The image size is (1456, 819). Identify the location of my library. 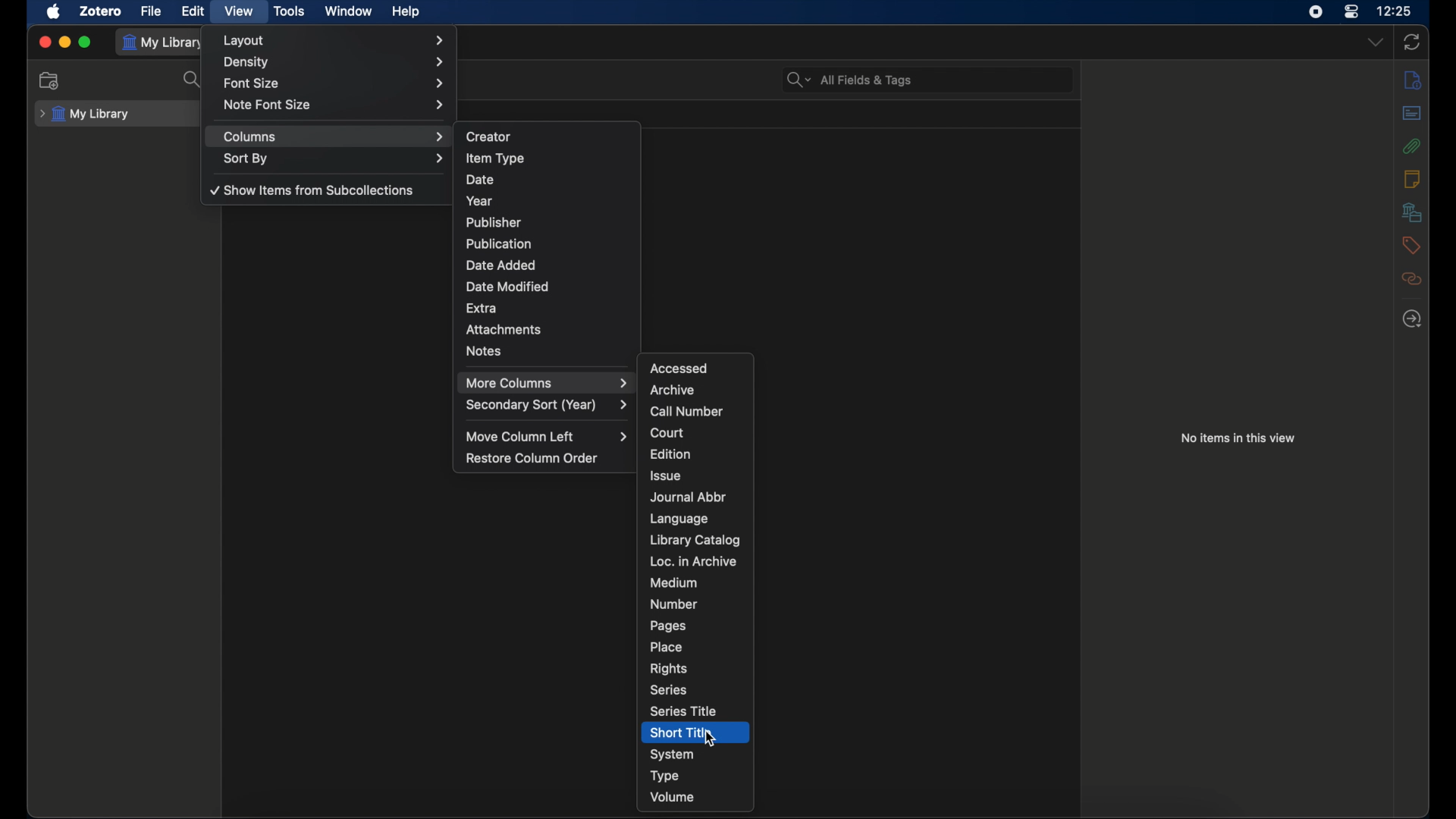
(165, 42).